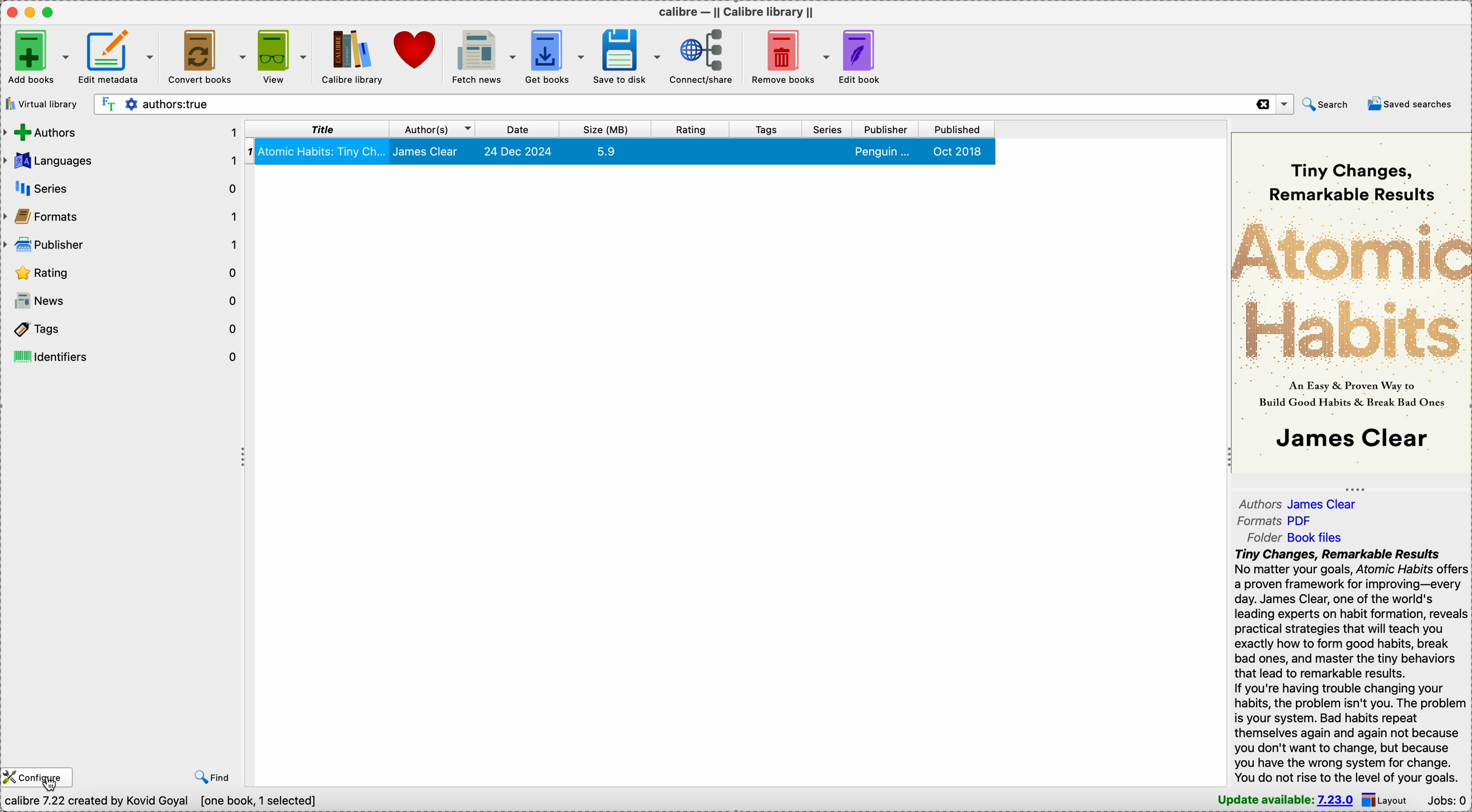 This screenshot has height=812, width=1472. What do you see at coordinates (51, 11) in the screenshot?
I see `maximize Calibre` at bounding box center [51, 11].